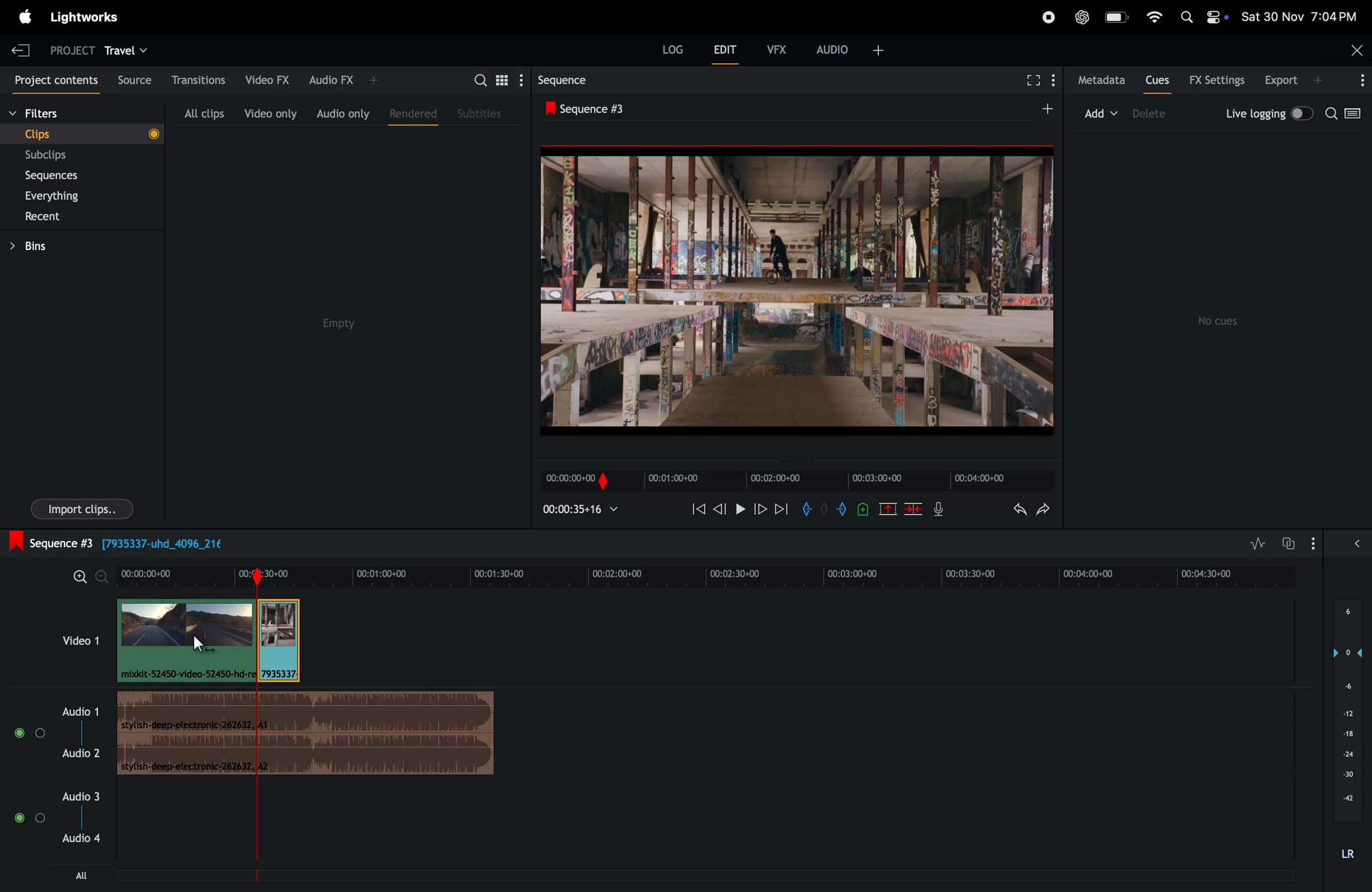  What do you see at coordinates (1102, 112) in the screenshot?
I see `add` at bounding box center [1102, 112].